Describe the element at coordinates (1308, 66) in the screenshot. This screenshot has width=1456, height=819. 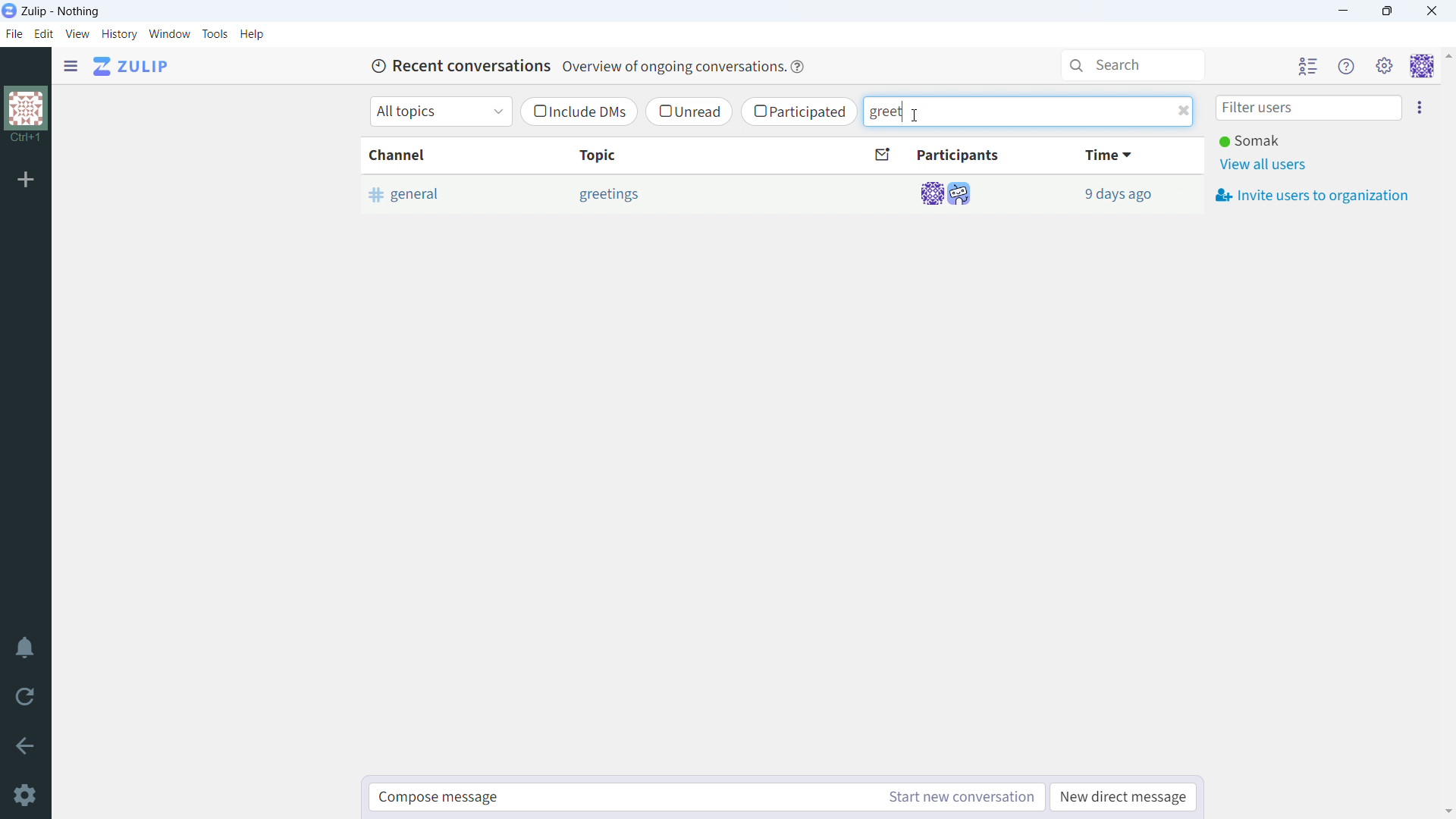
I see `hide all users` at that location.